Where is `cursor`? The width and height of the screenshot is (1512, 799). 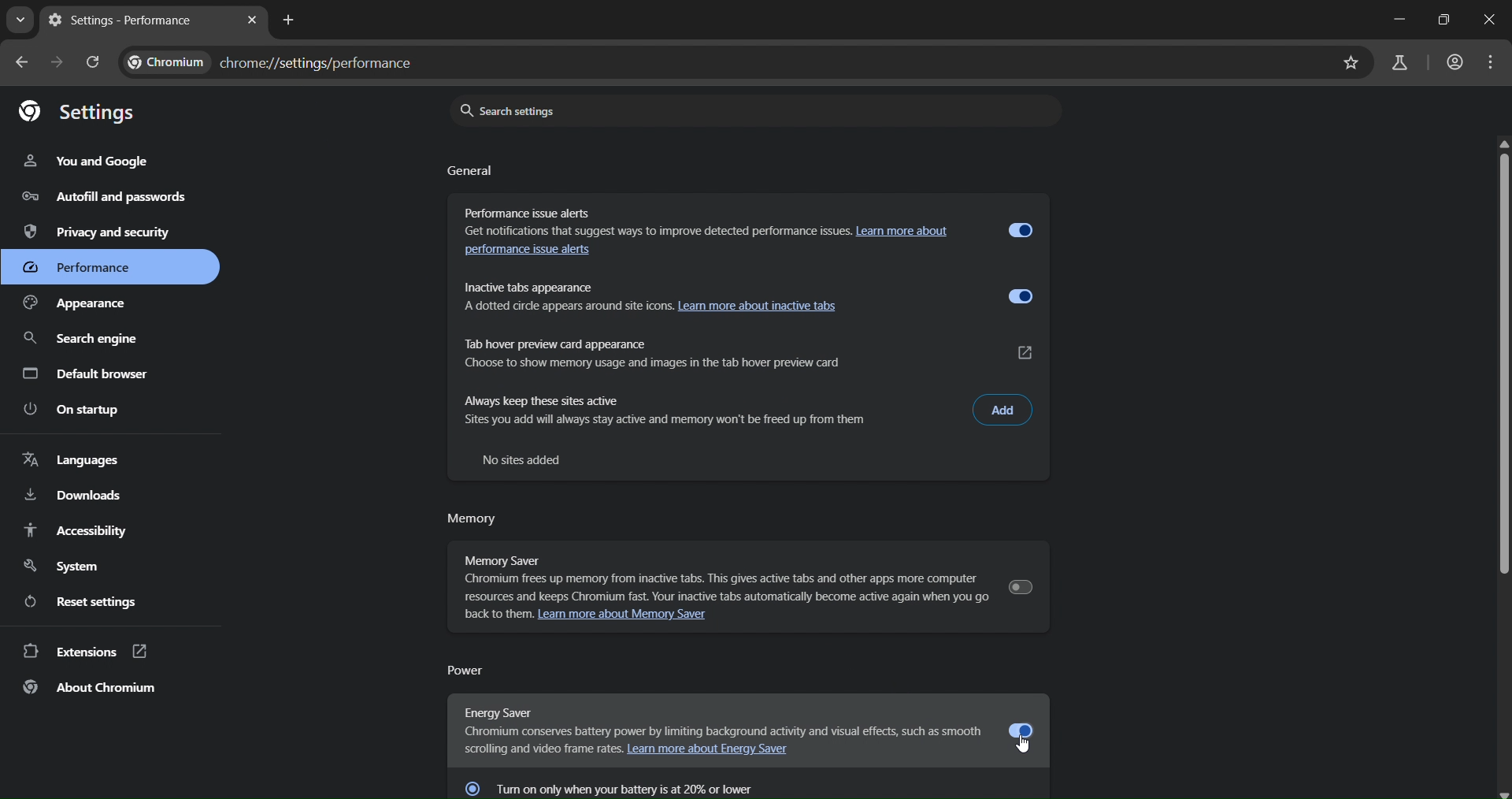 cursor is located at coordinates (1025, 744).